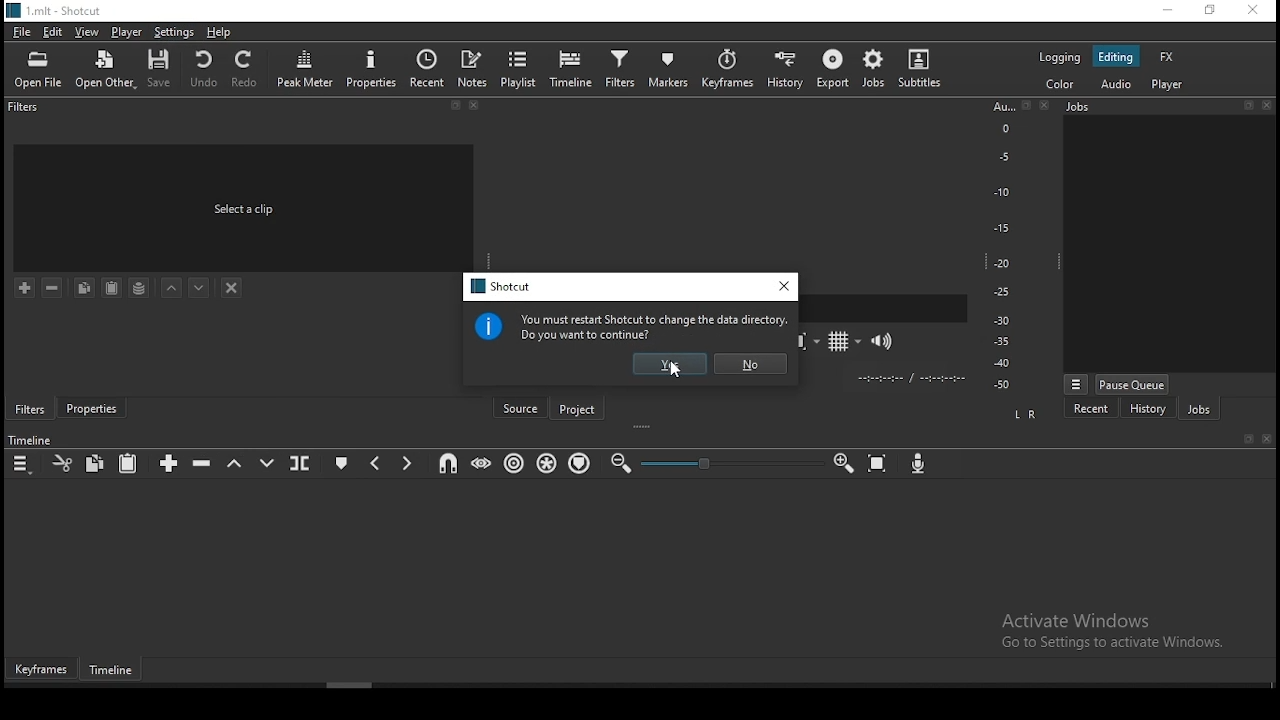 The image size is (1280, 720). I want to click on scroll bar, so click(378, 686).